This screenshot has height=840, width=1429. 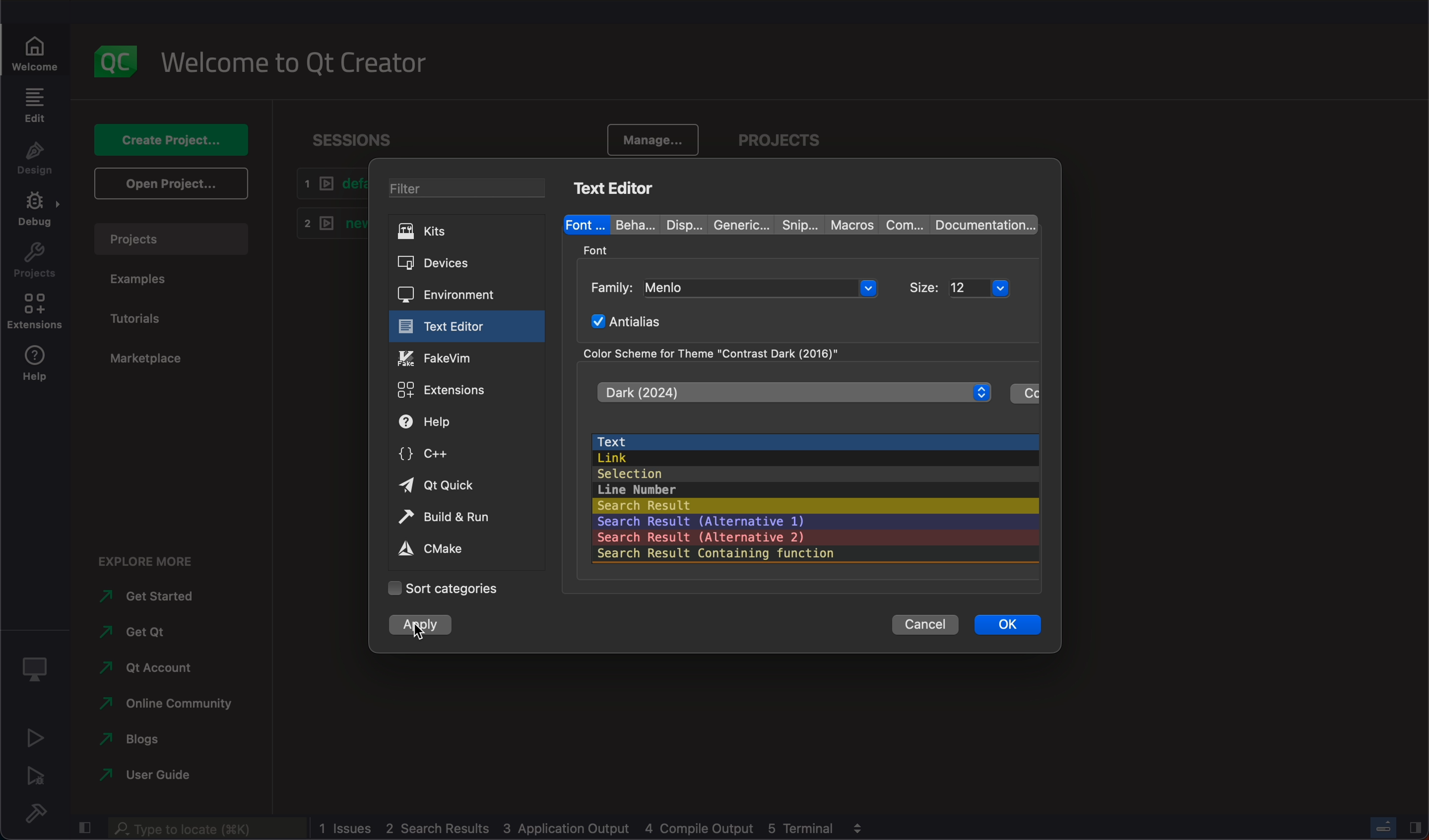 What do you see at coordinates (630, 224) in the screenshot?
I see `beha` at bounding box center [630, 224].